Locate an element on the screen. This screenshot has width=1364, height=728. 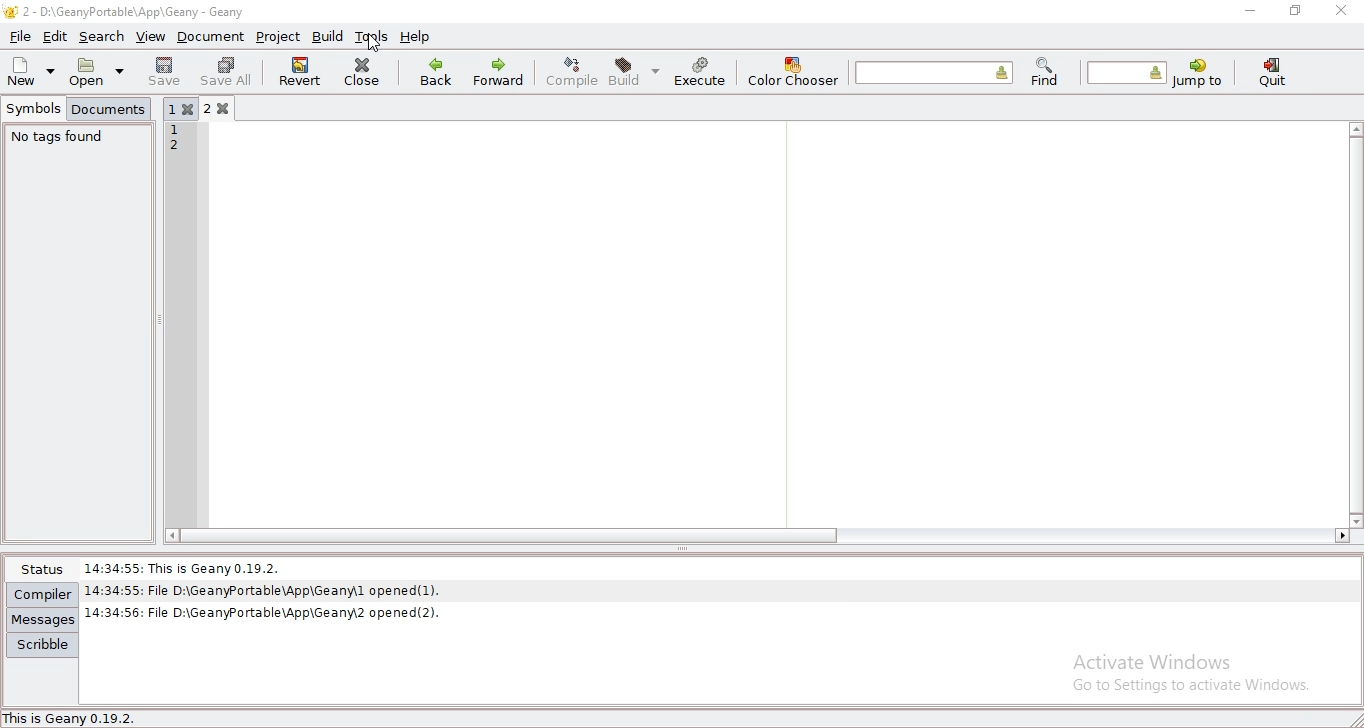
12 is located at coordinates (176, 142).